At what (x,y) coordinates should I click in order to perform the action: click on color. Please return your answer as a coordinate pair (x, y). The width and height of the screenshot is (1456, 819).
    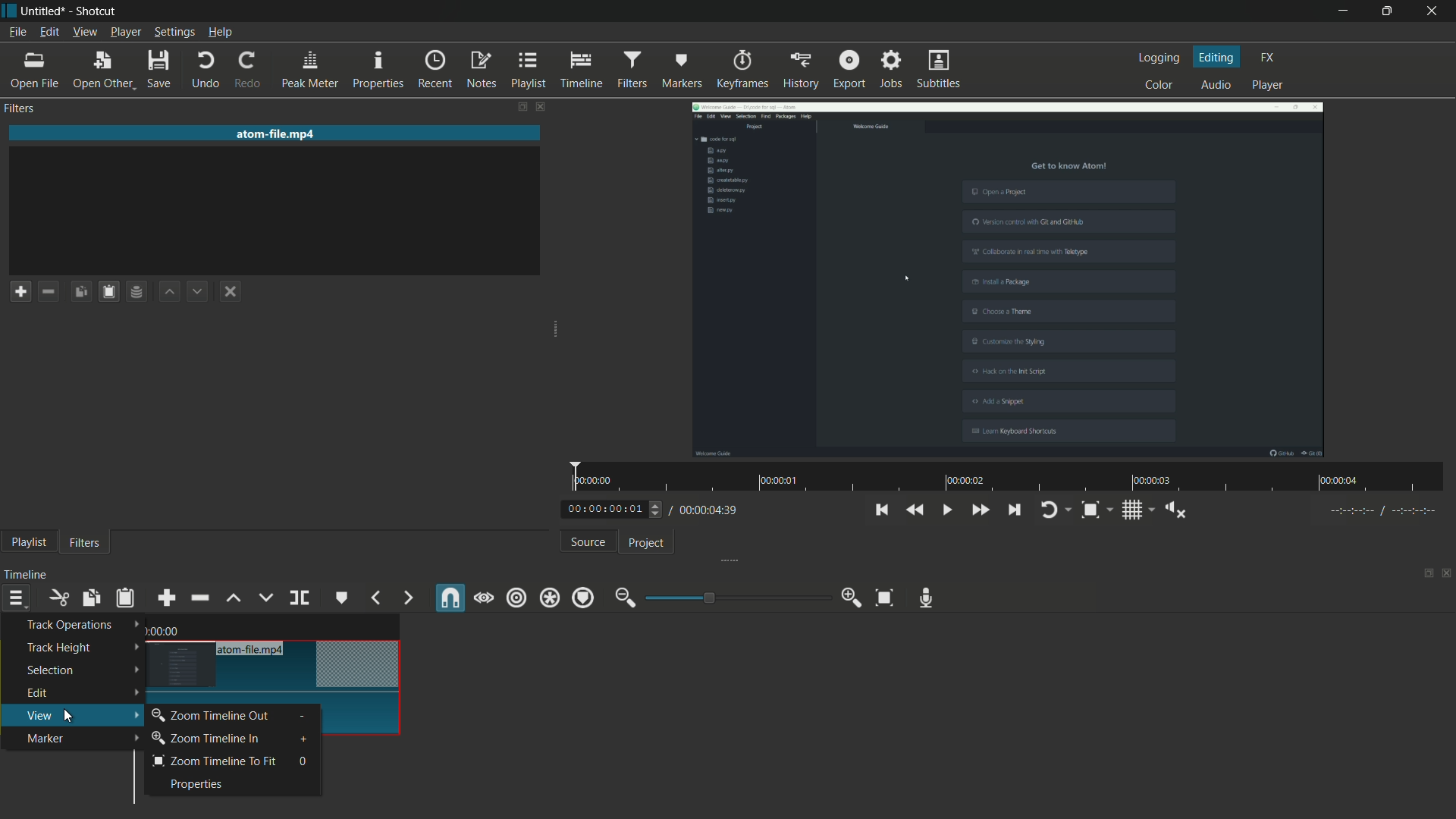
    Looking at the image, I should click on (1162, 85).